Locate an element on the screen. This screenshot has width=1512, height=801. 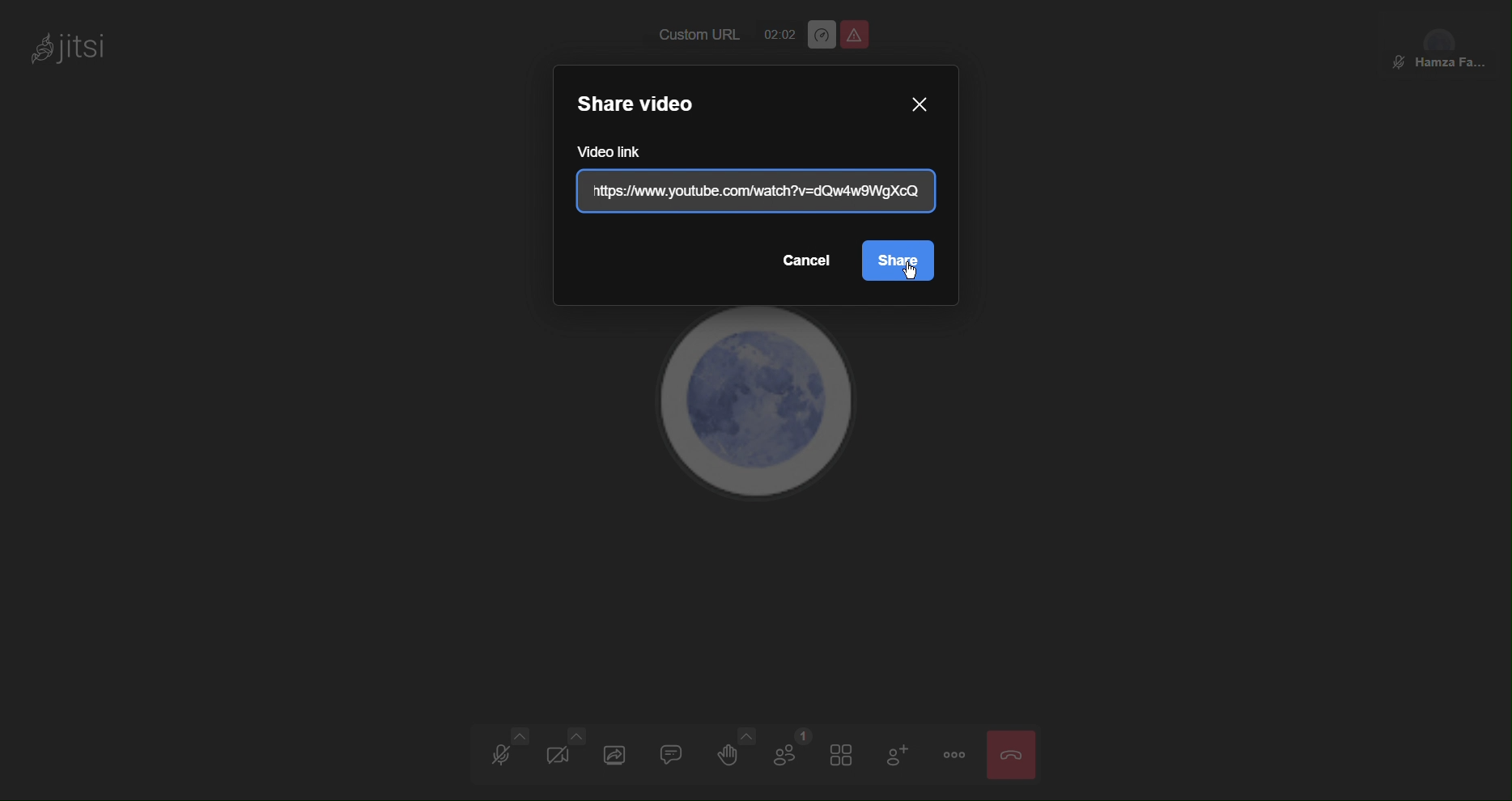
Video link is located at coordinates (620, 152).